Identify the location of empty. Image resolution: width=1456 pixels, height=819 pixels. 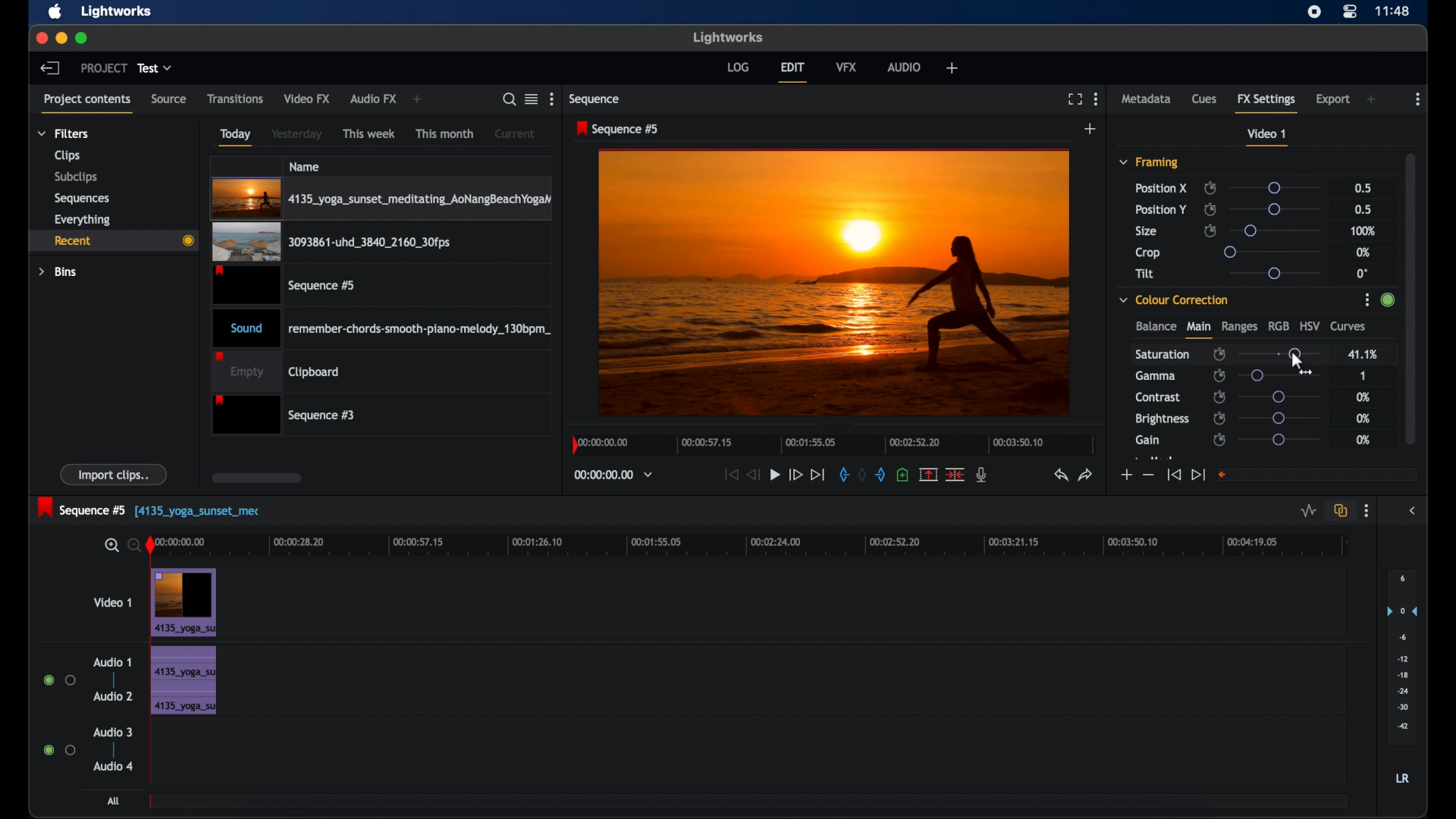
(276, 371).